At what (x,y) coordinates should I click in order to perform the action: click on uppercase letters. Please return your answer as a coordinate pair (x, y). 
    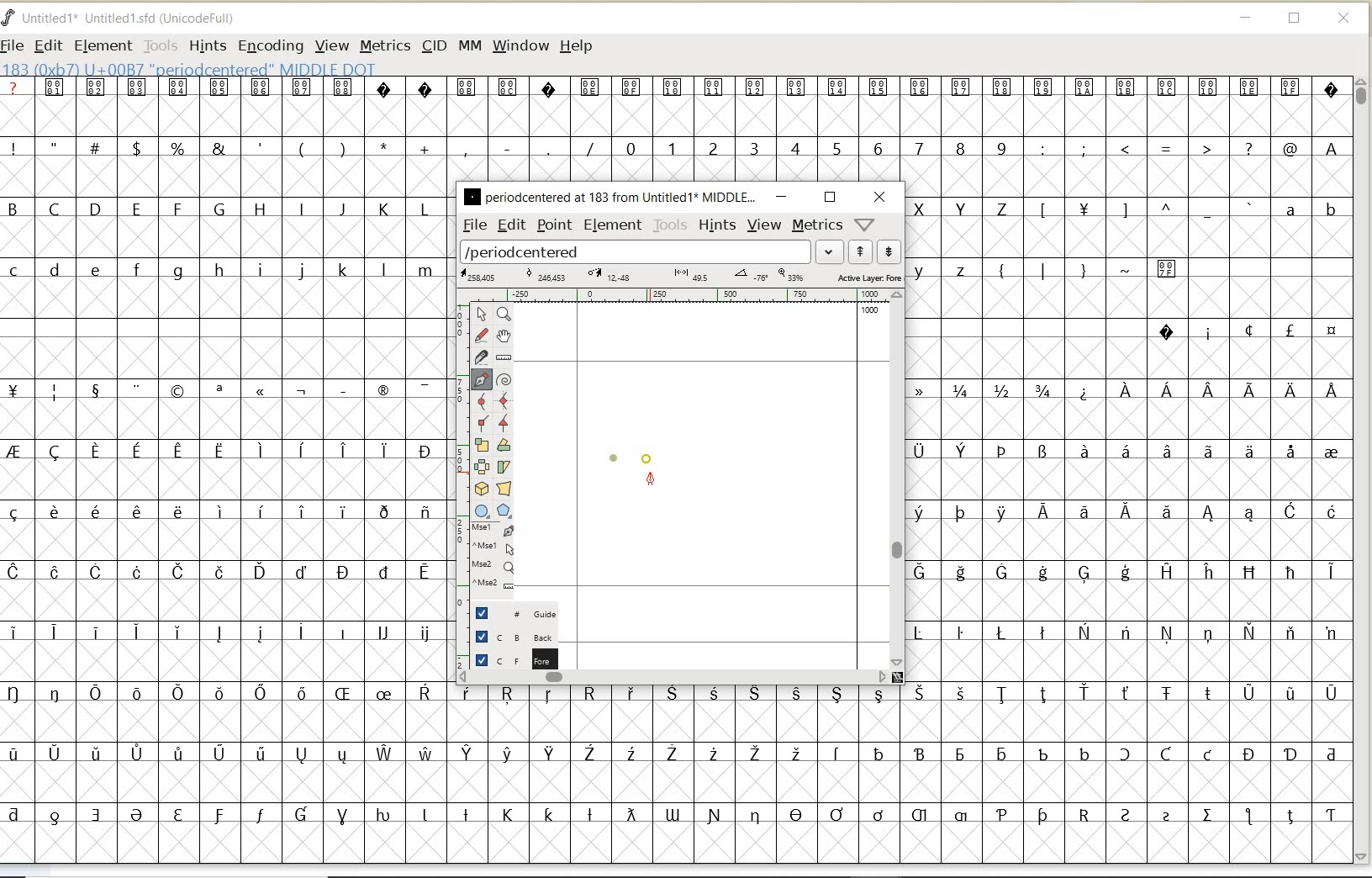
    Looking at the image, I should click on (964, 208).